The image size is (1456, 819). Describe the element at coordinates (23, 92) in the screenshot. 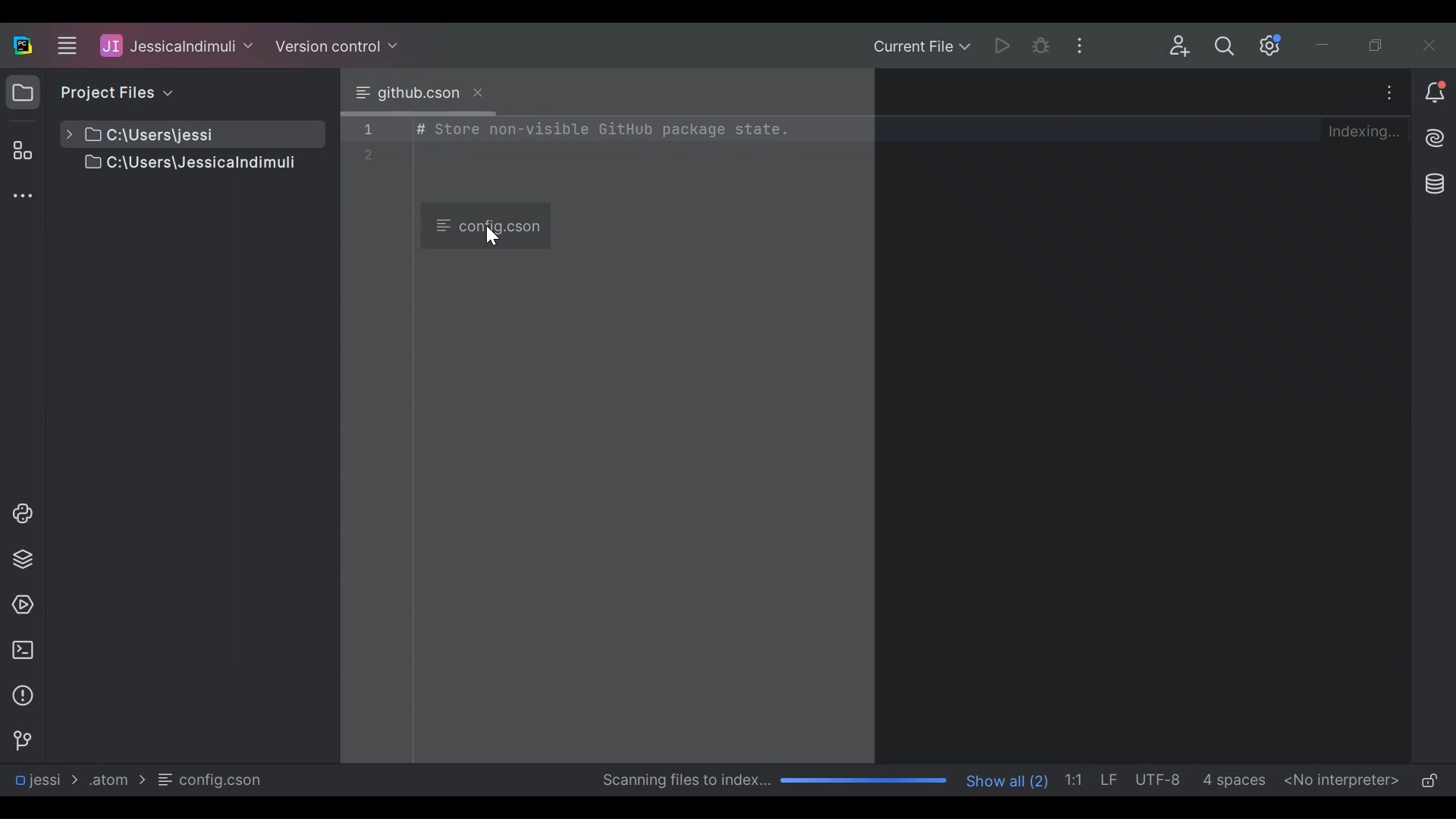

I see `Project View` at that location.